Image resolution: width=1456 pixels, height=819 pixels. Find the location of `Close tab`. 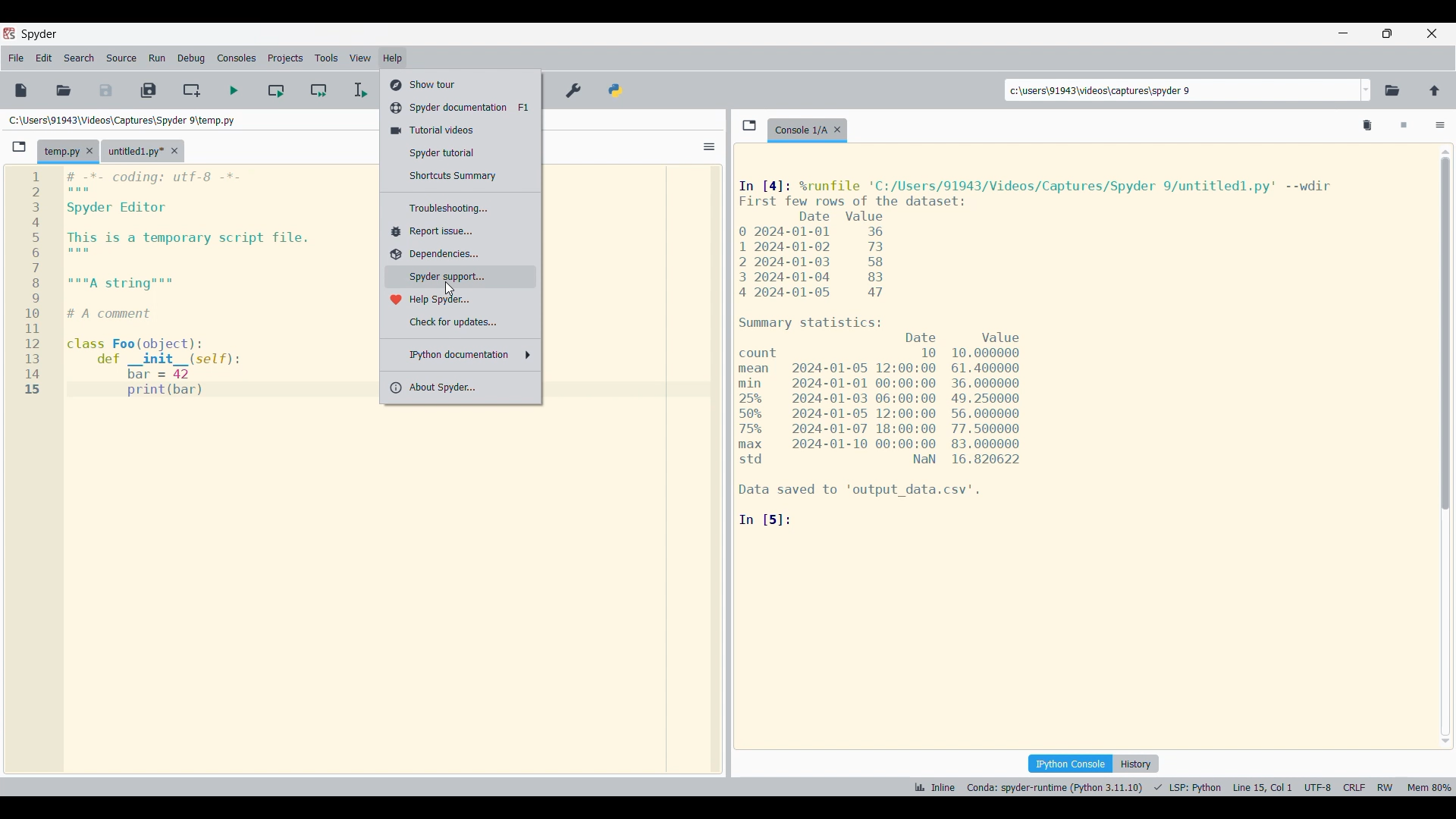

Close tab is located at coordinates (89, 150).